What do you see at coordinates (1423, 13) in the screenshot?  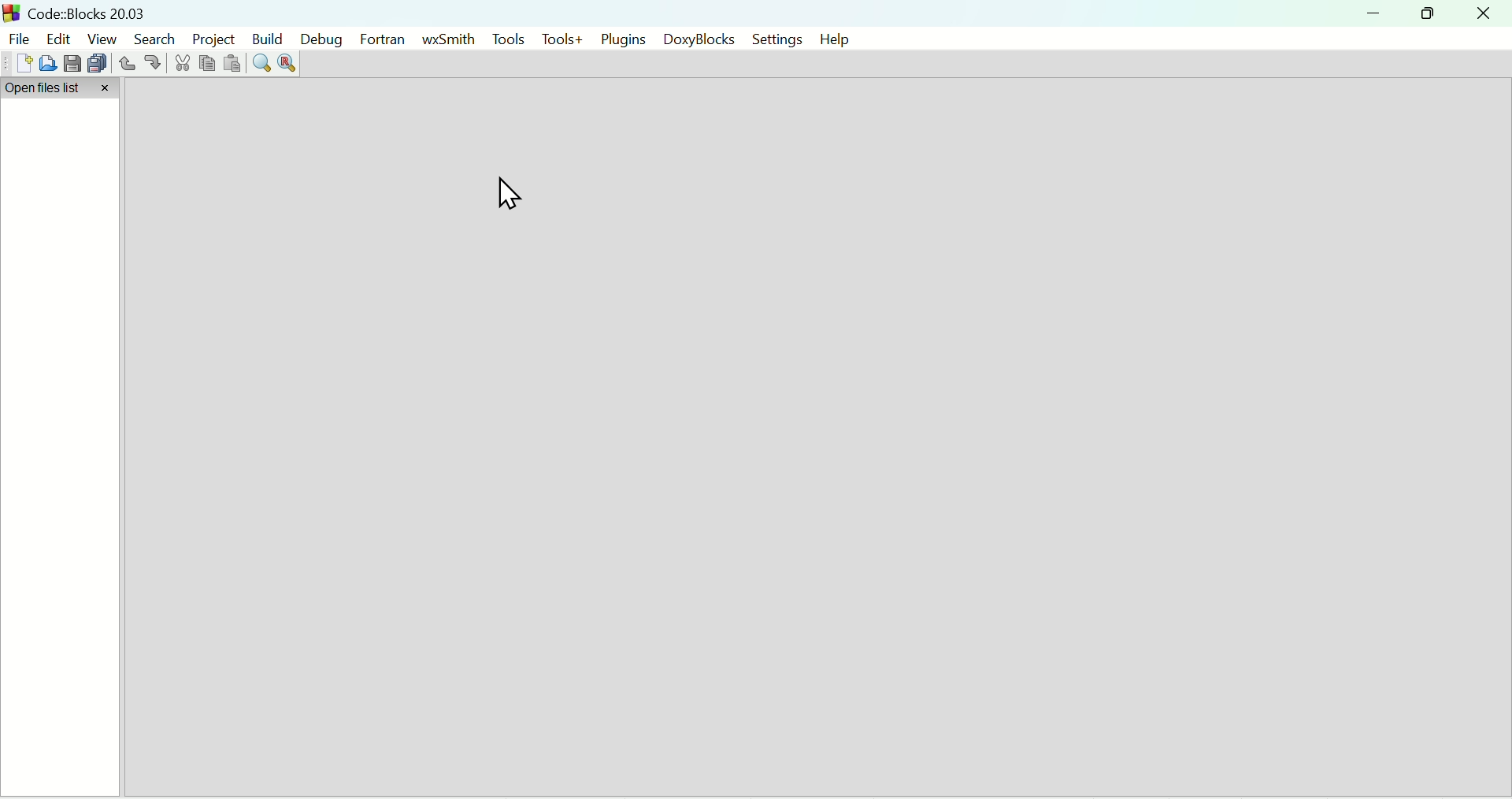 I see `Restore` at bounding box center [1423, 13].